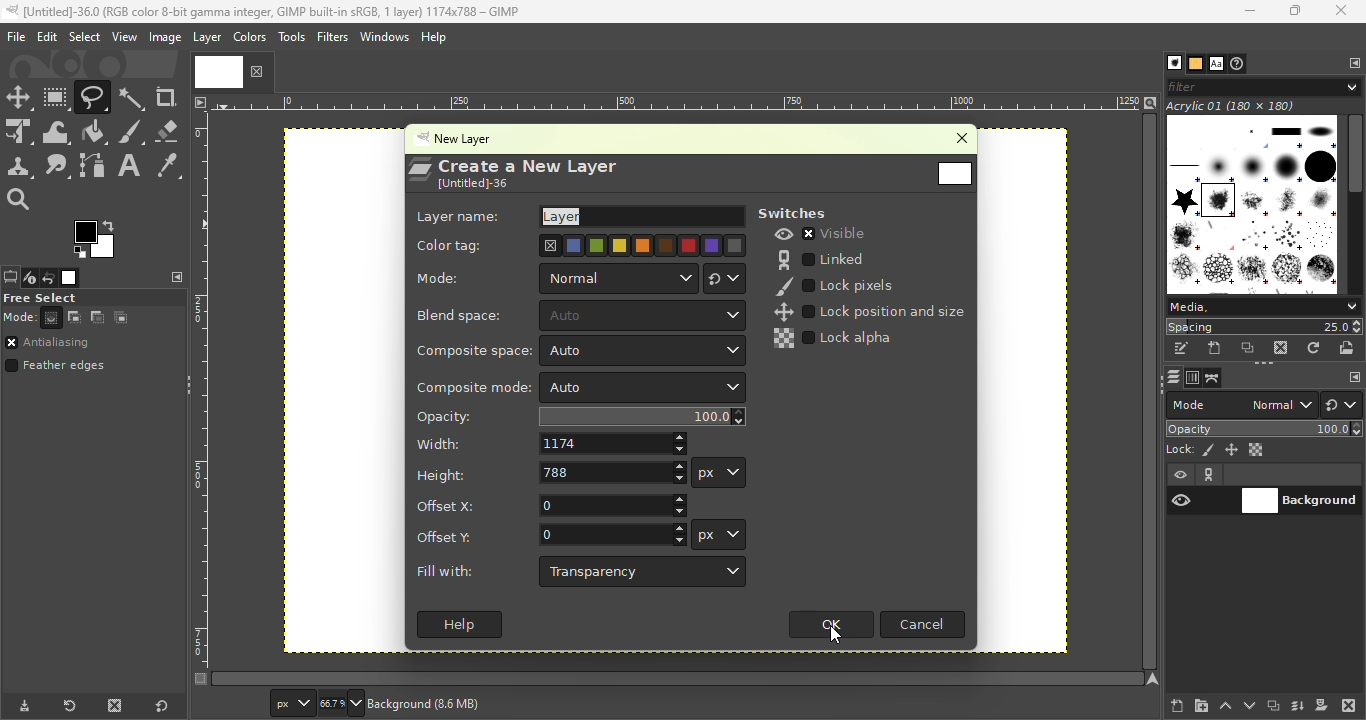 This screenshot has height=720, width=1366. I want to click on Horizontal scrollbar, so click(1150, 392).